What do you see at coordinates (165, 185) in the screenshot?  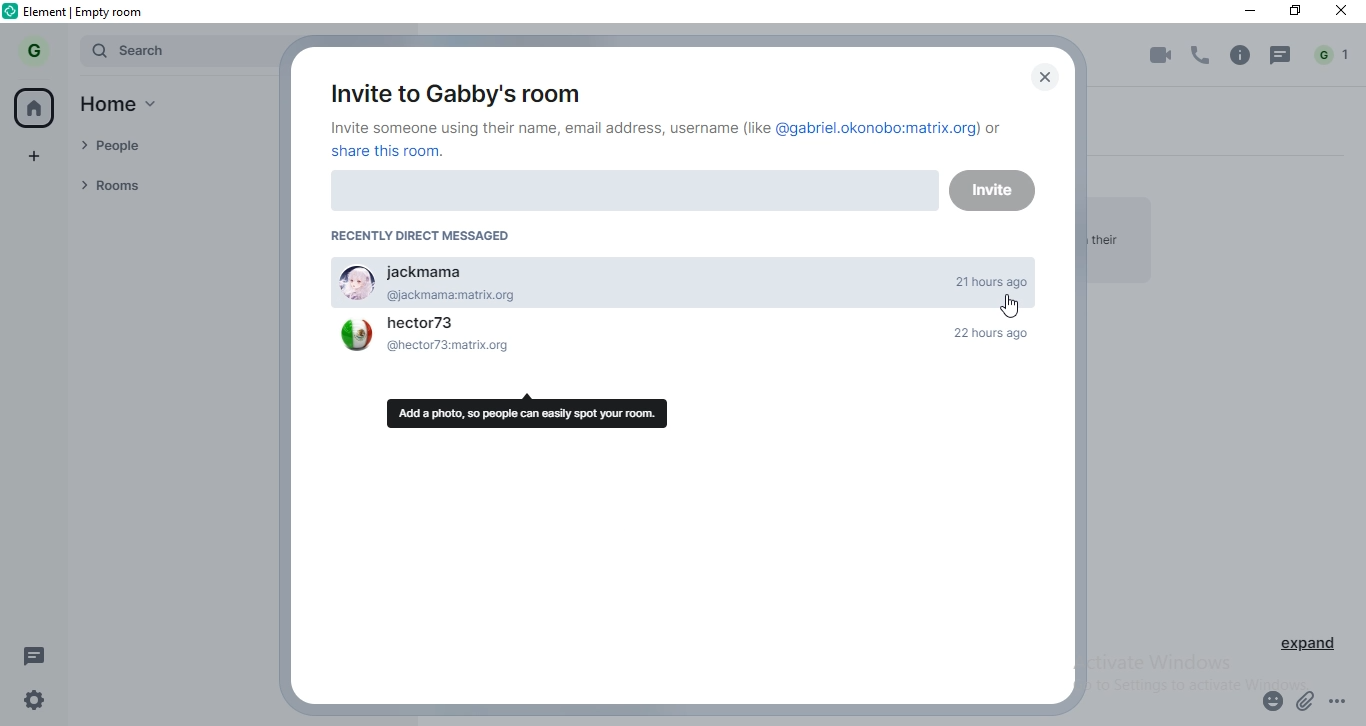 I see `rooms` at bounding box center [165, 185].